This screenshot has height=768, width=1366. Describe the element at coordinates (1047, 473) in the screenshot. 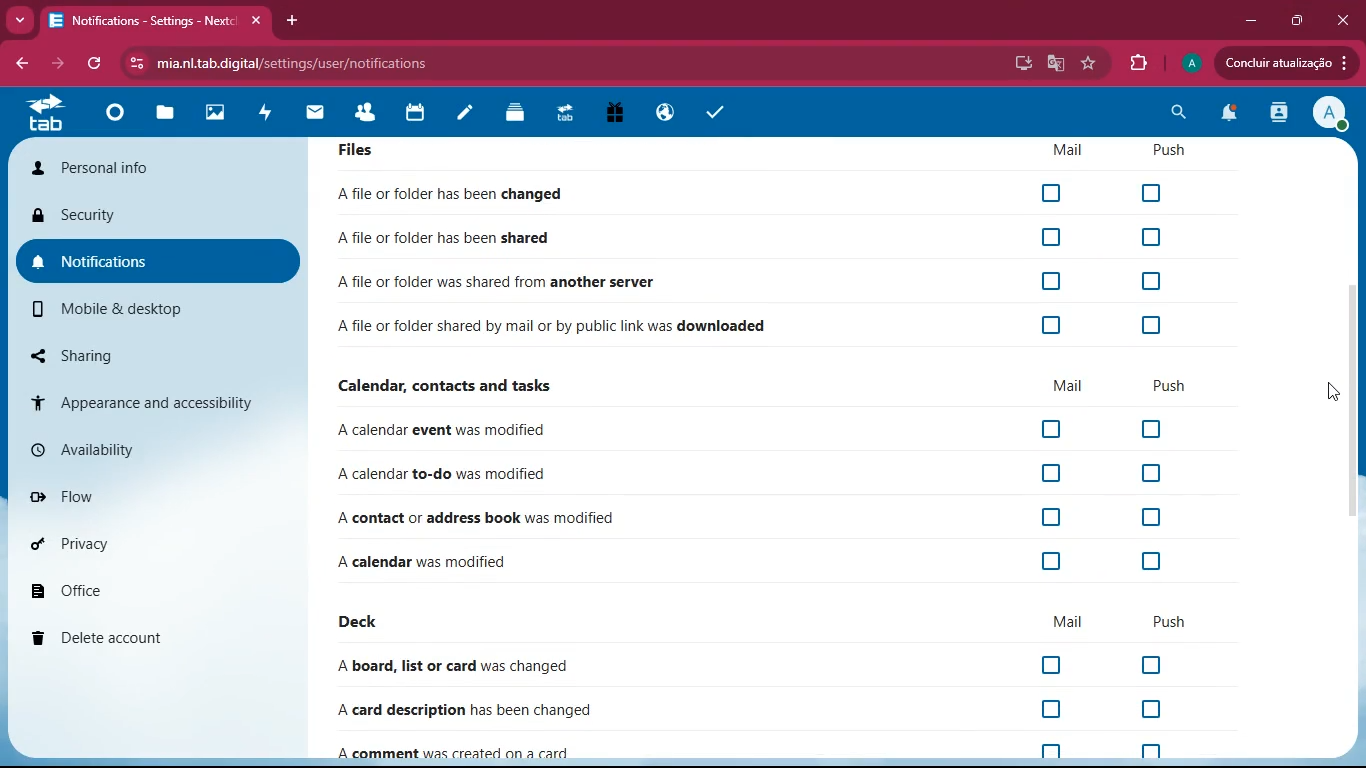

I see `off` at that location.